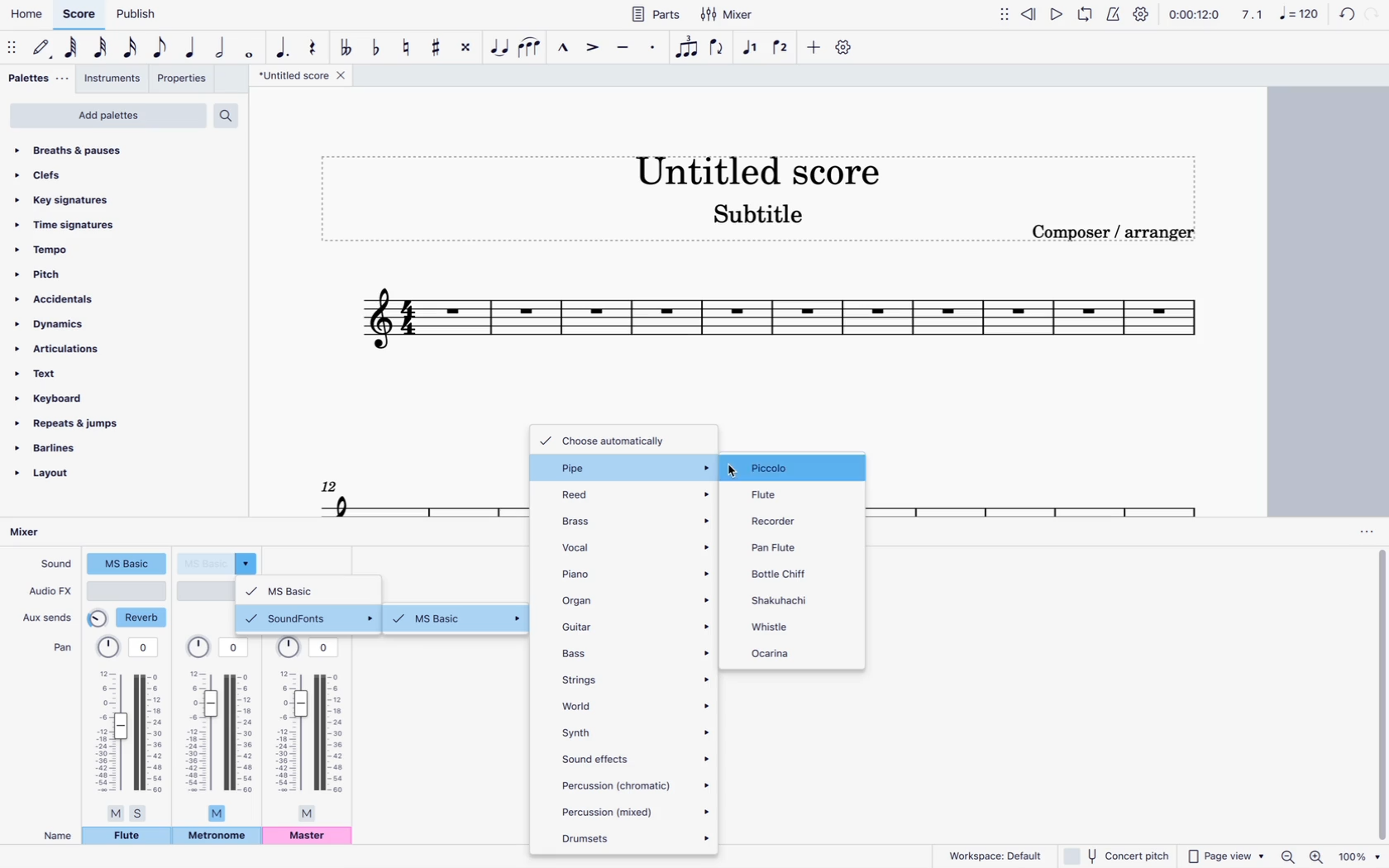 This screenshot has height=868, width=1389. I want to click on toggle natural, so click(408, 46).